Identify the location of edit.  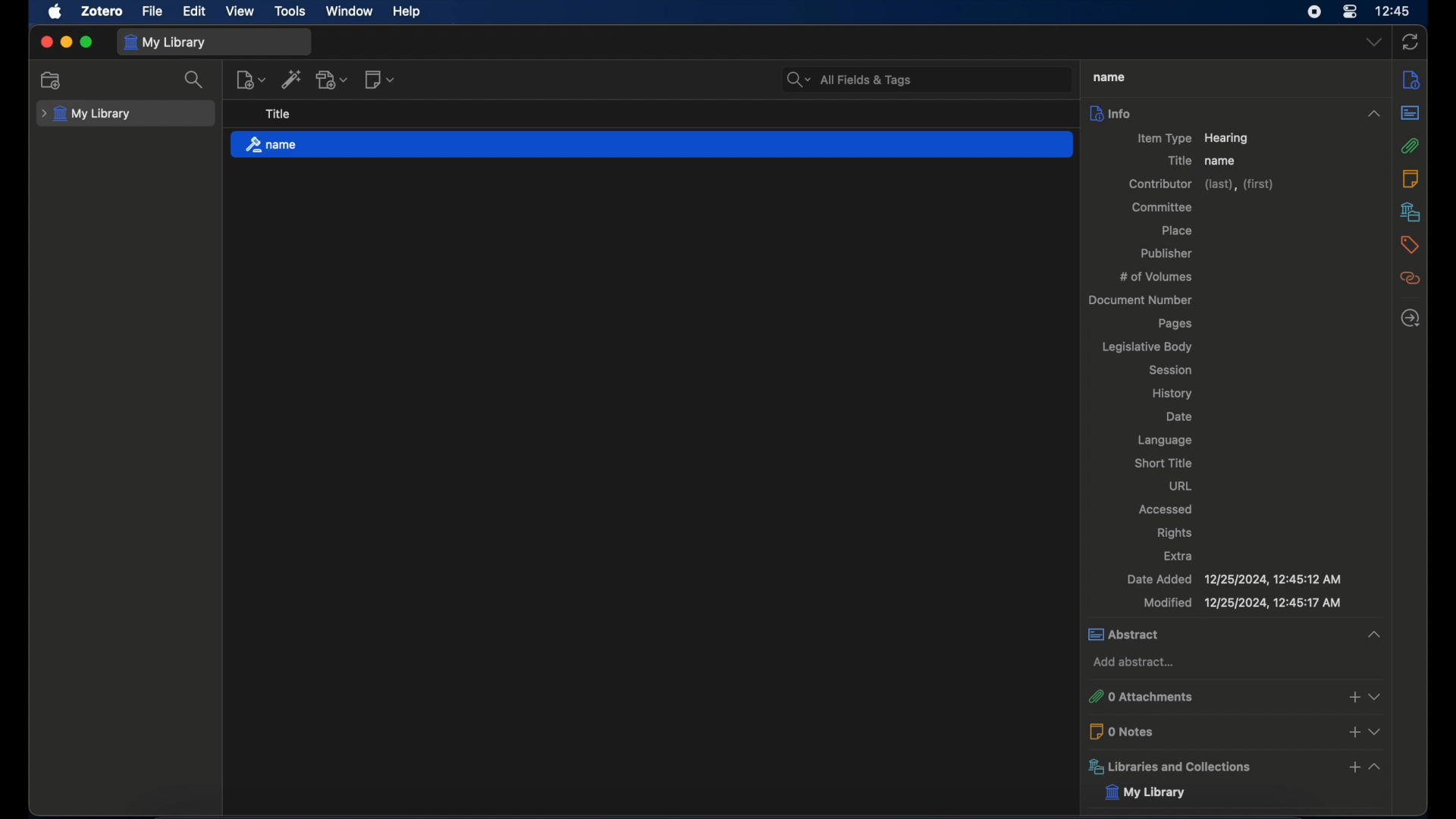
(196, 11).